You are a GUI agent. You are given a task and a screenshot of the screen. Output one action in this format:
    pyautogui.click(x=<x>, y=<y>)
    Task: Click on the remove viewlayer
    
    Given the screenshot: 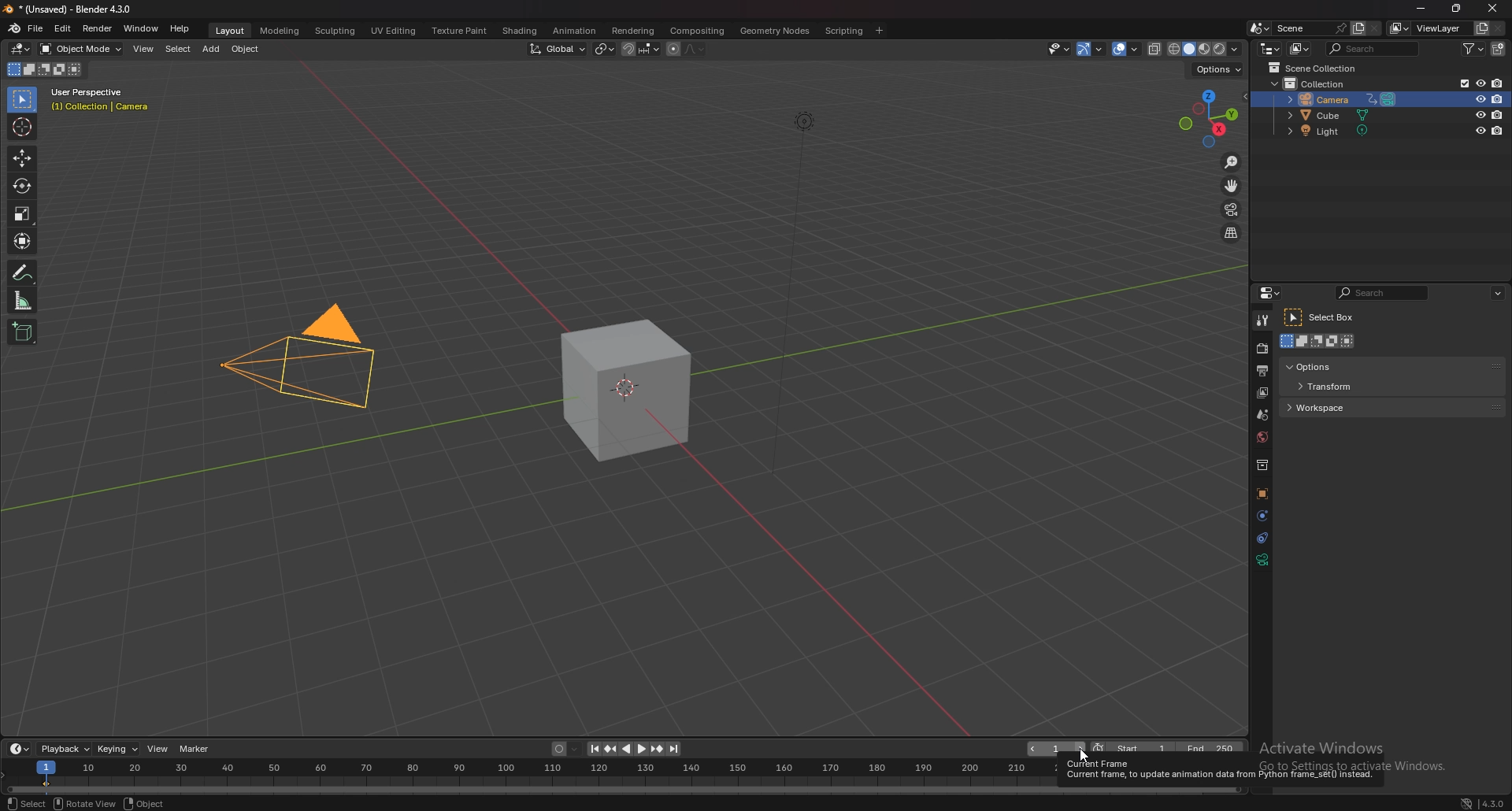 What is the action you would take?
    pyautogui.click(x=1499, y=28)
    